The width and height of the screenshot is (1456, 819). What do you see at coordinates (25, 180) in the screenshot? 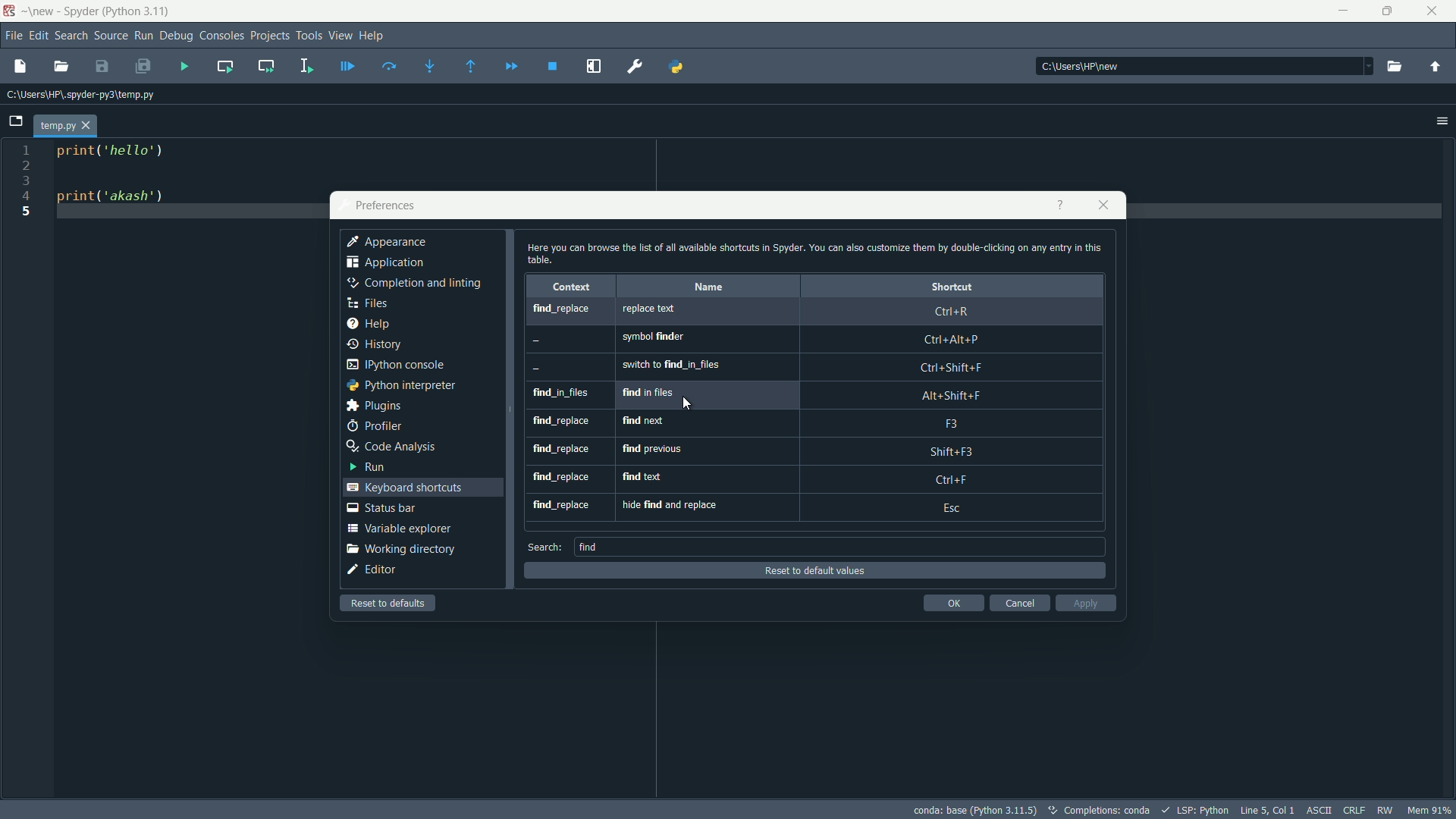
I see `3` at bounding box center [25, 180].